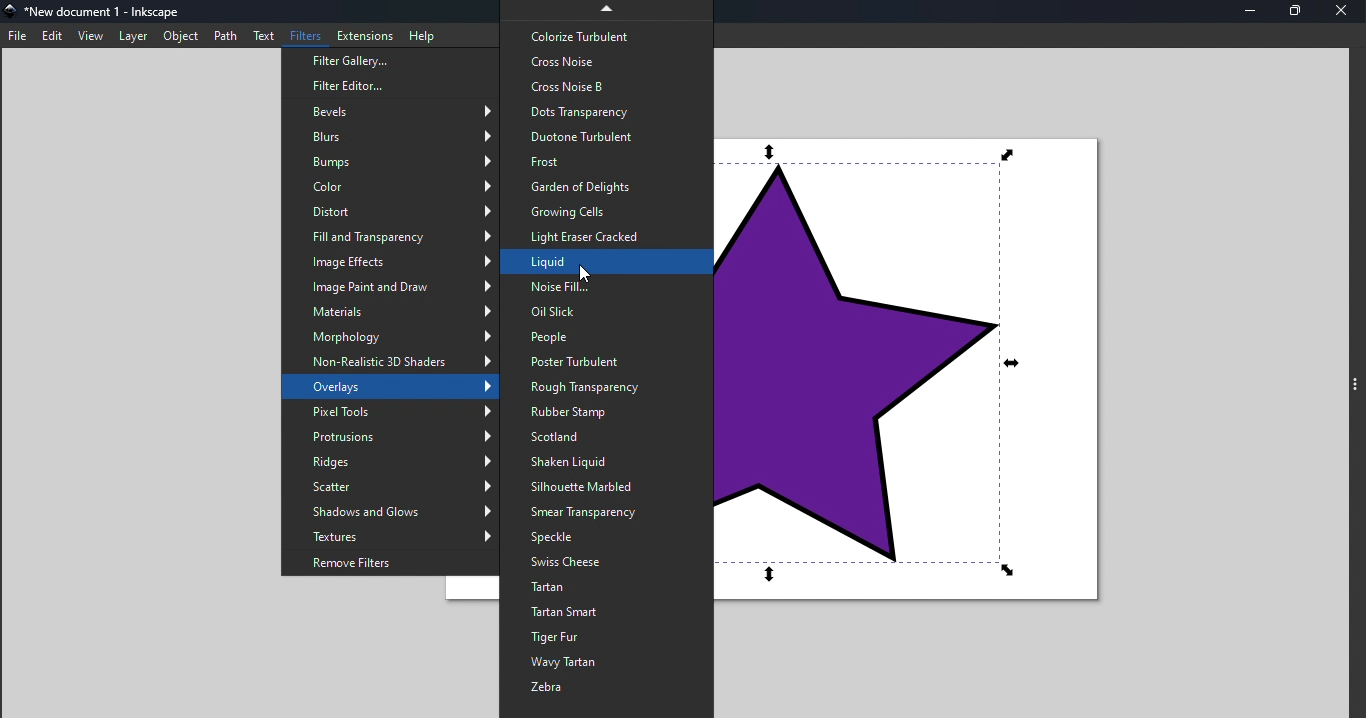  I want to click on Material, so click(392, 312).